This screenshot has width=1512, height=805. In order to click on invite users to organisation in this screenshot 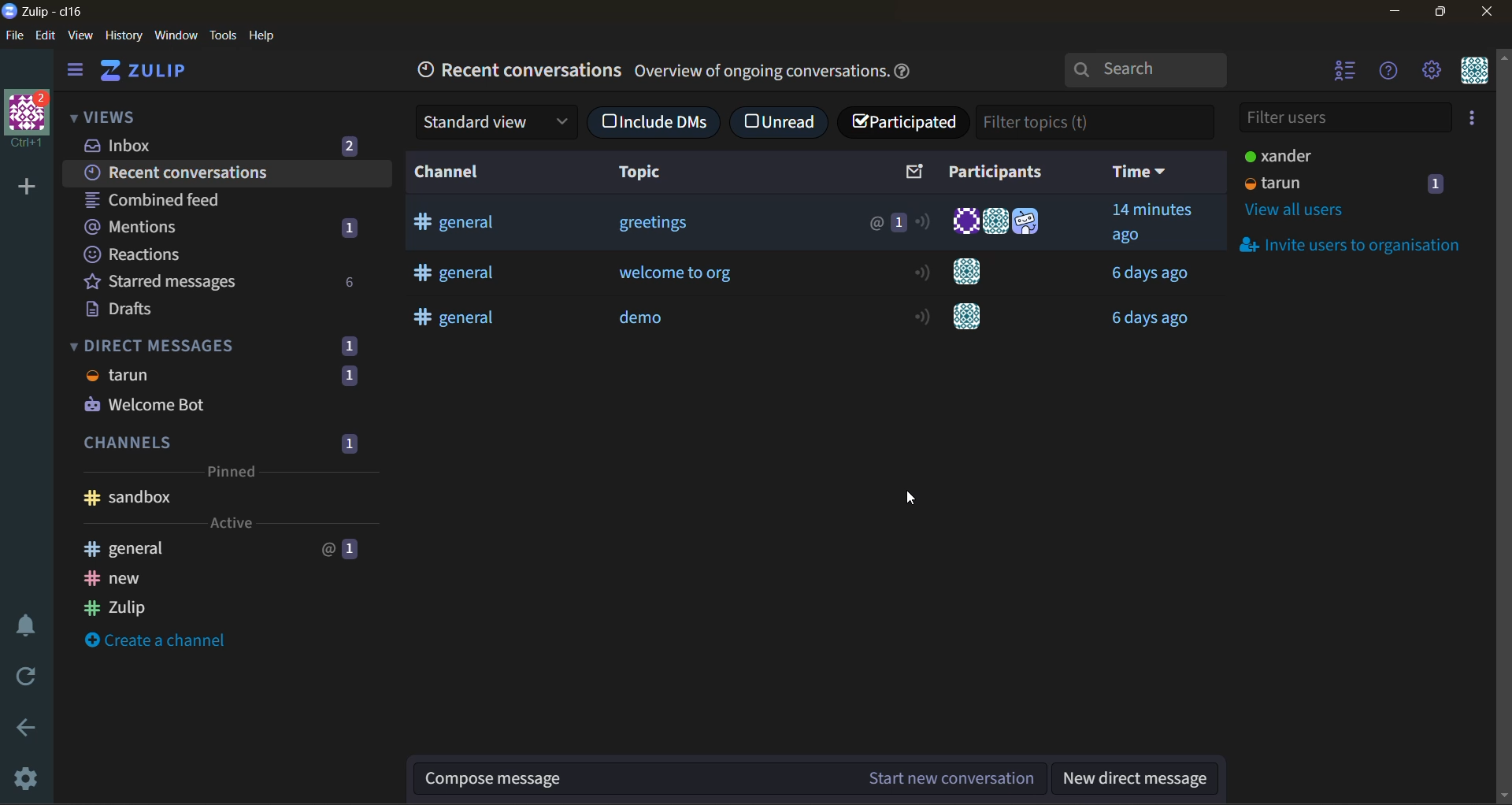, I will do `click(1474, 121)`.